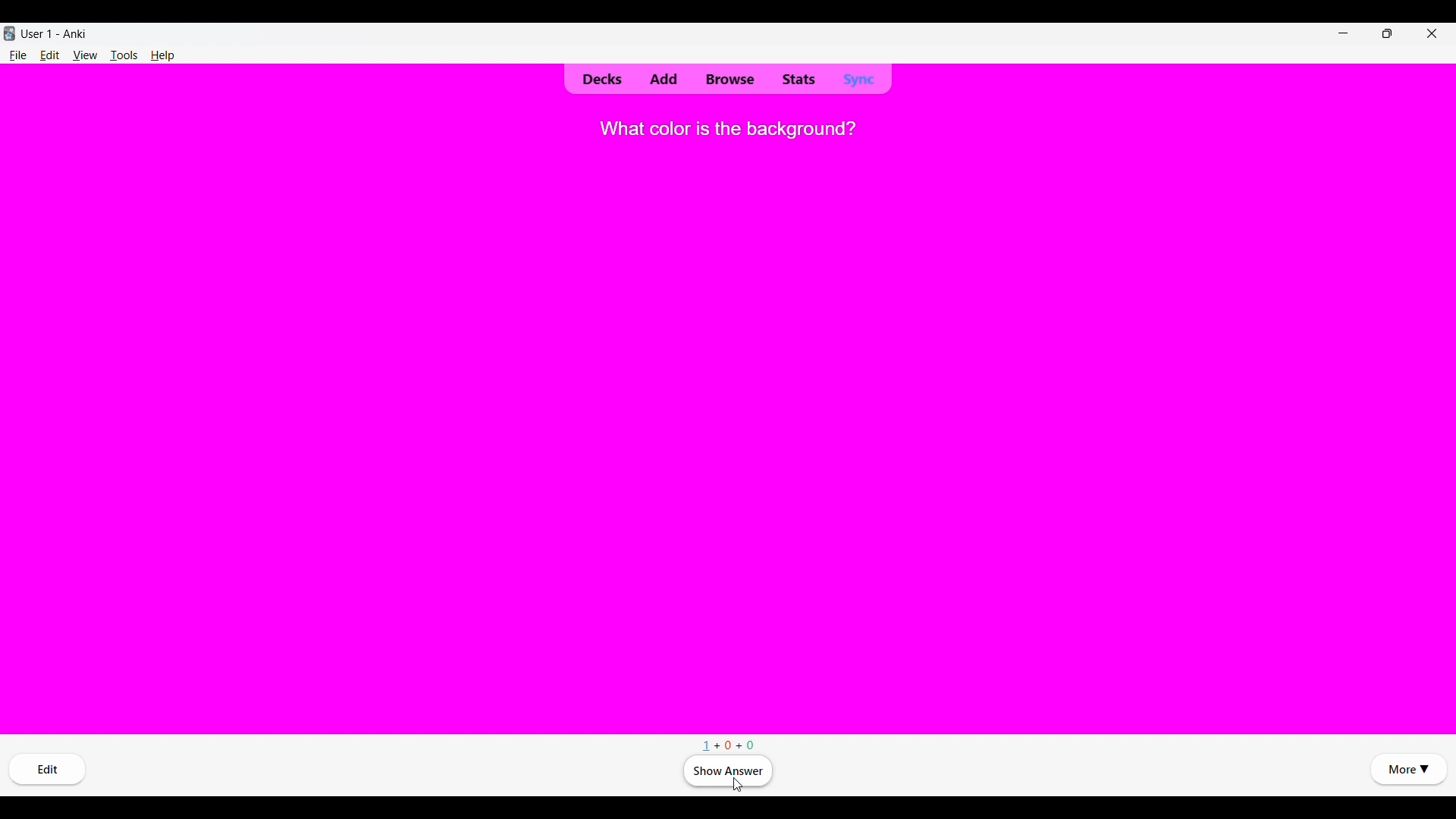 The height and width of the screenshot is (819, 1456). What do you see at coordinates (1388, 33) in the screenshot?
I see `Show interface in smaller tab` at bounding box center [1388, 33].